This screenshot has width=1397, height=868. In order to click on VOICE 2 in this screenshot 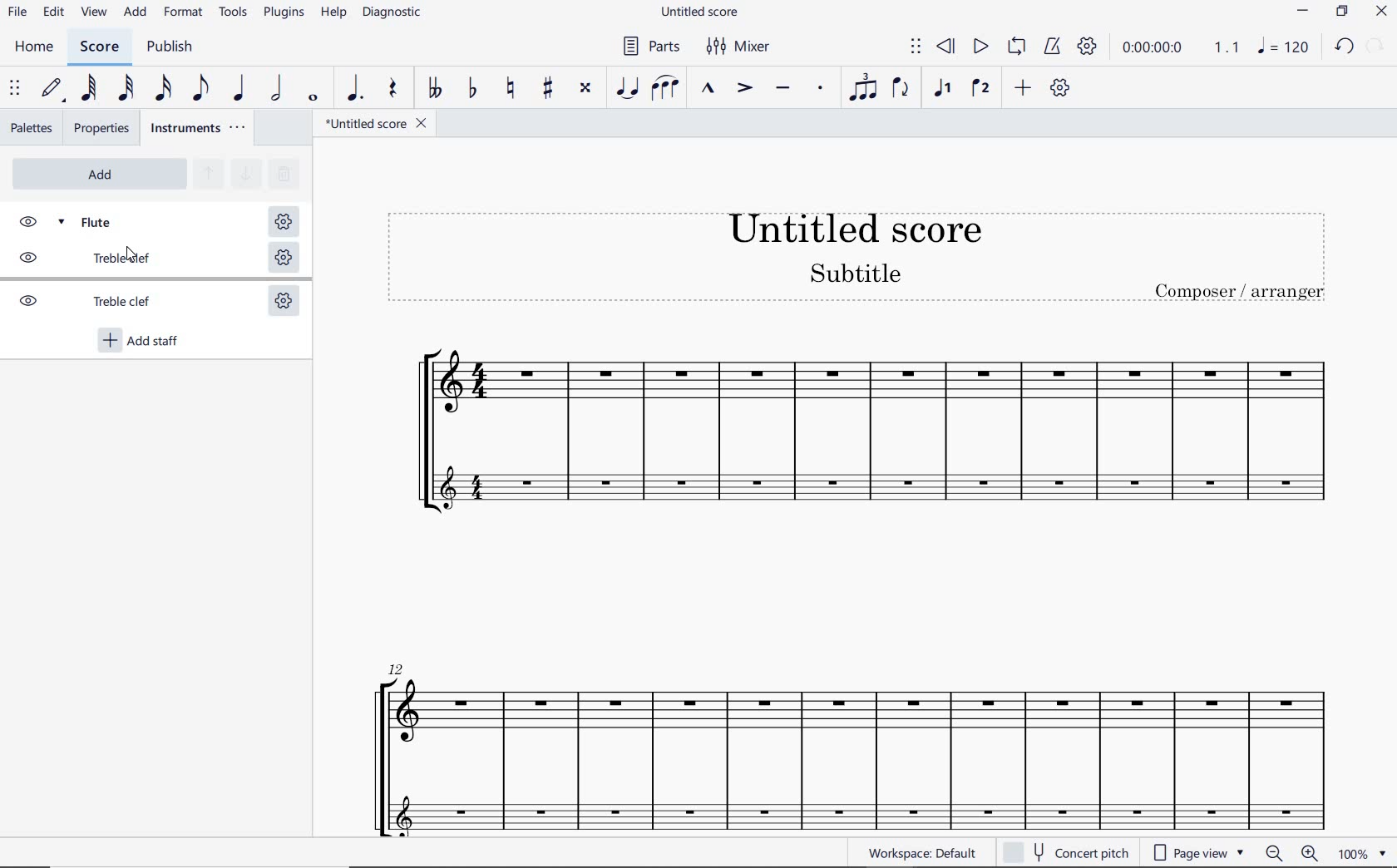, I will do `click(980, 89)`.